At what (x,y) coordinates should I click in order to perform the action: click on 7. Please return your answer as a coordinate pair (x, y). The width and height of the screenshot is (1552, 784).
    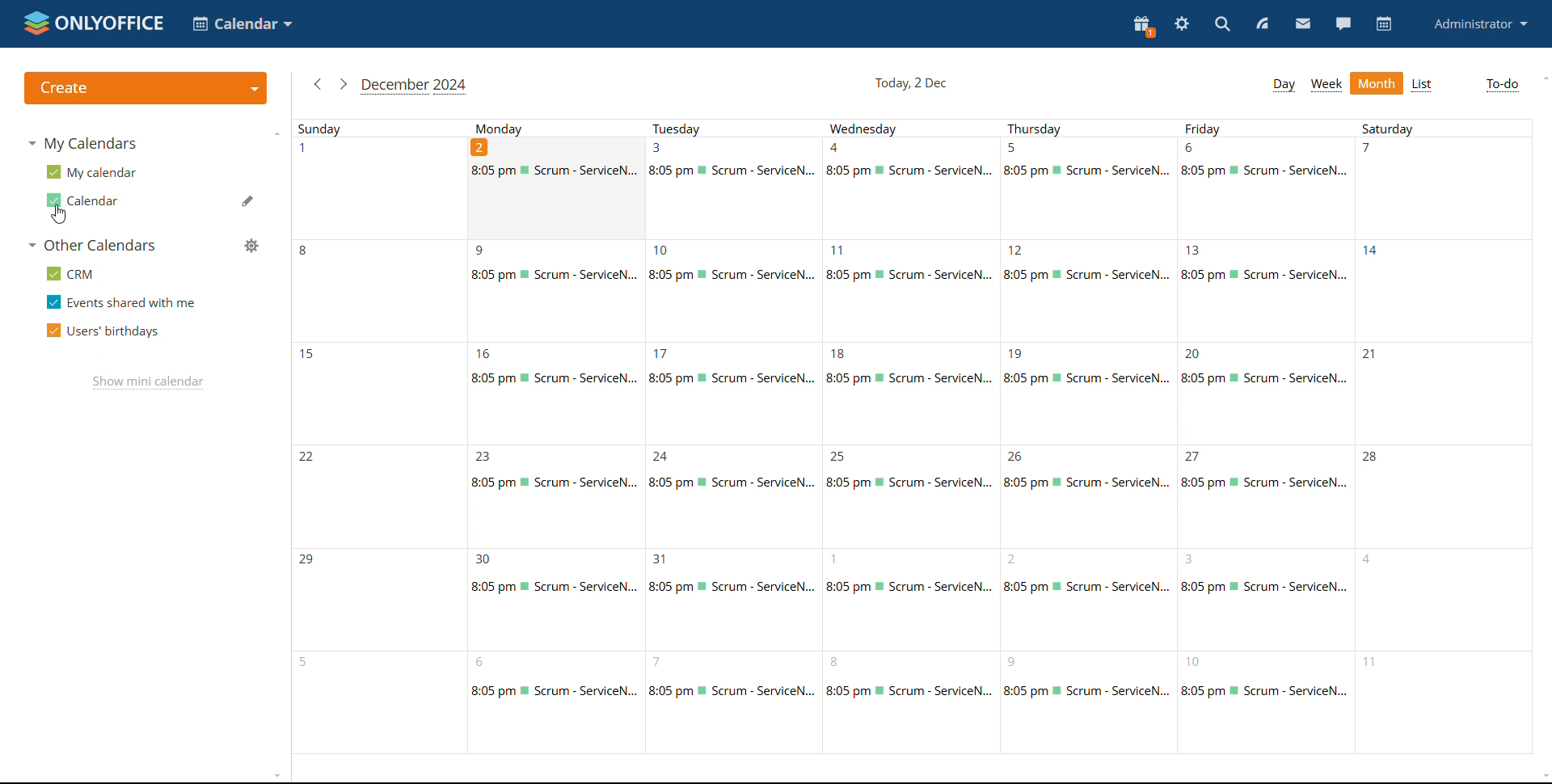
    Looking at the image, I should click on (1440, 188).